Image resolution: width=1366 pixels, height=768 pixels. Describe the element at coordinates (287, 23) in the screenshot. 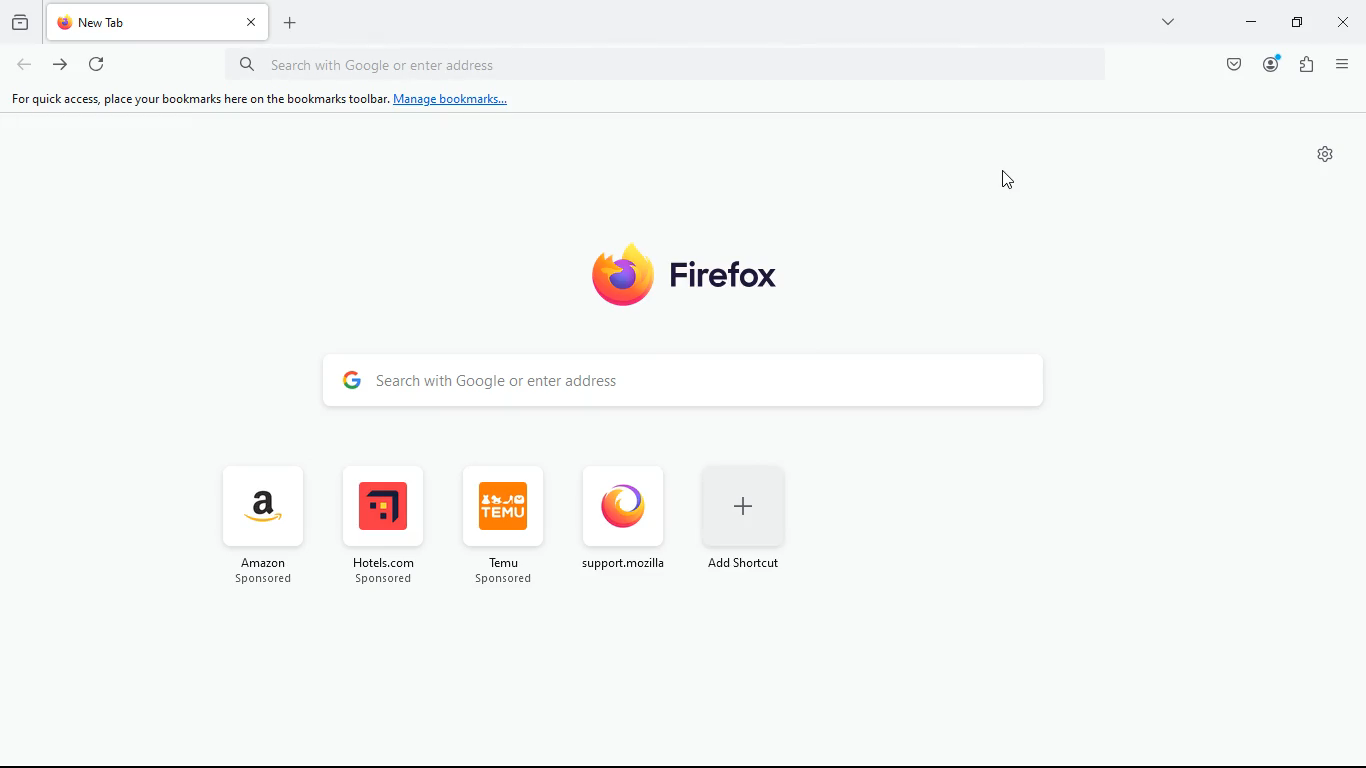

I see `add tab` at that location.